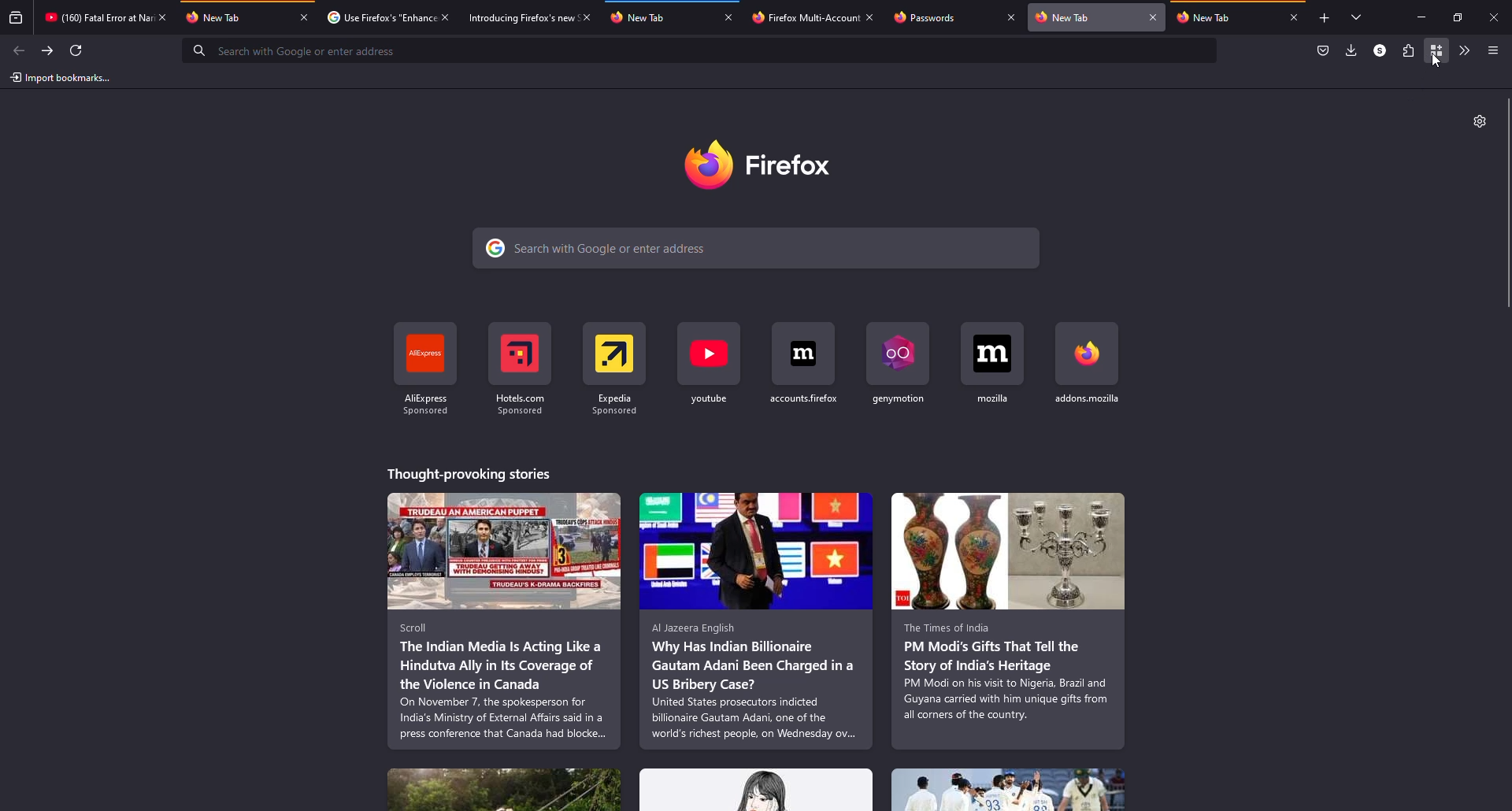 This screenshot has width=1512, height=811. Describe the element at coordinates (731, 18) in the screenshot. I see `close` at that location.